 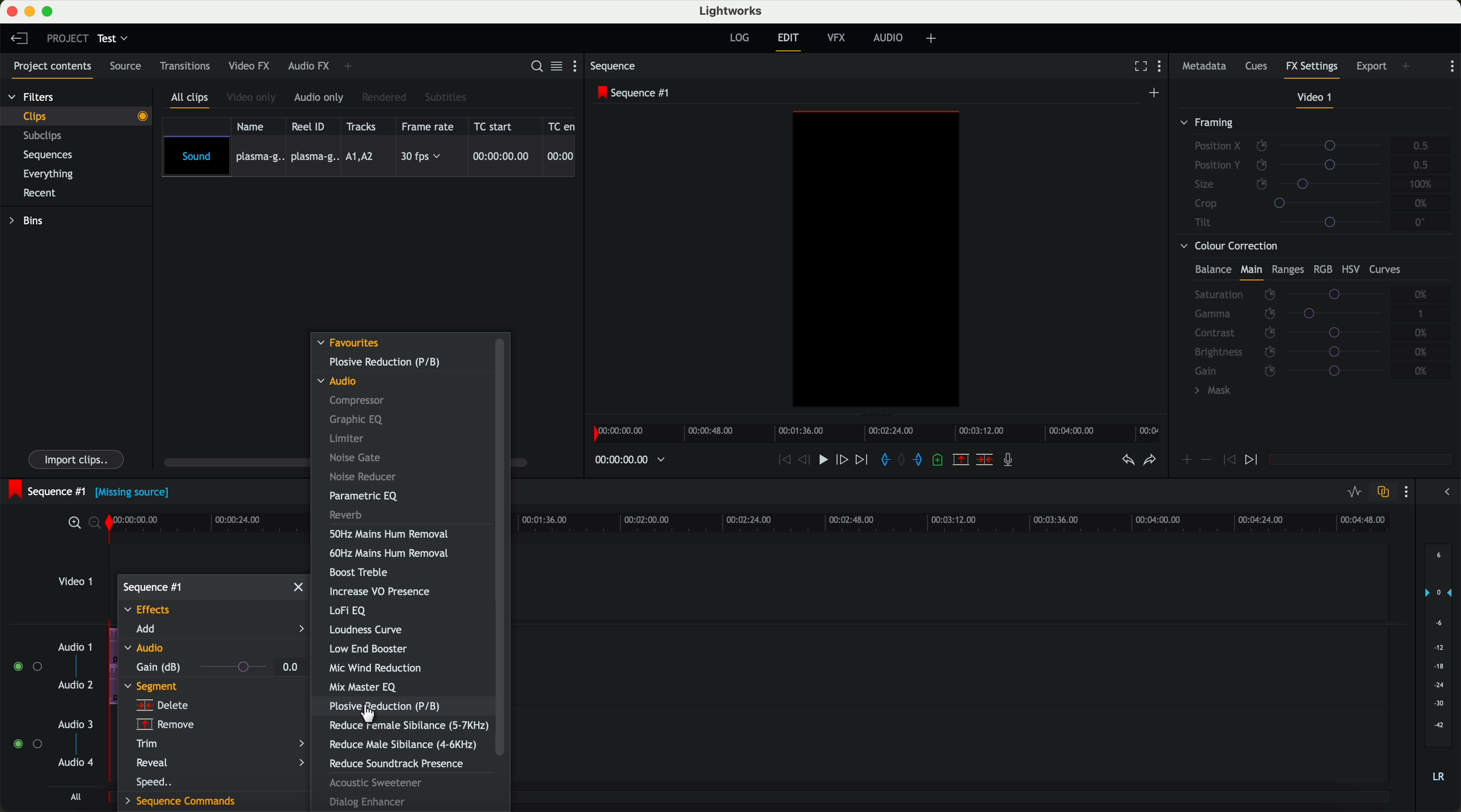 What do you see at coordinates (577, 68) in the screenshot?
I see `show settings menu` at bounding box center [577, 68].